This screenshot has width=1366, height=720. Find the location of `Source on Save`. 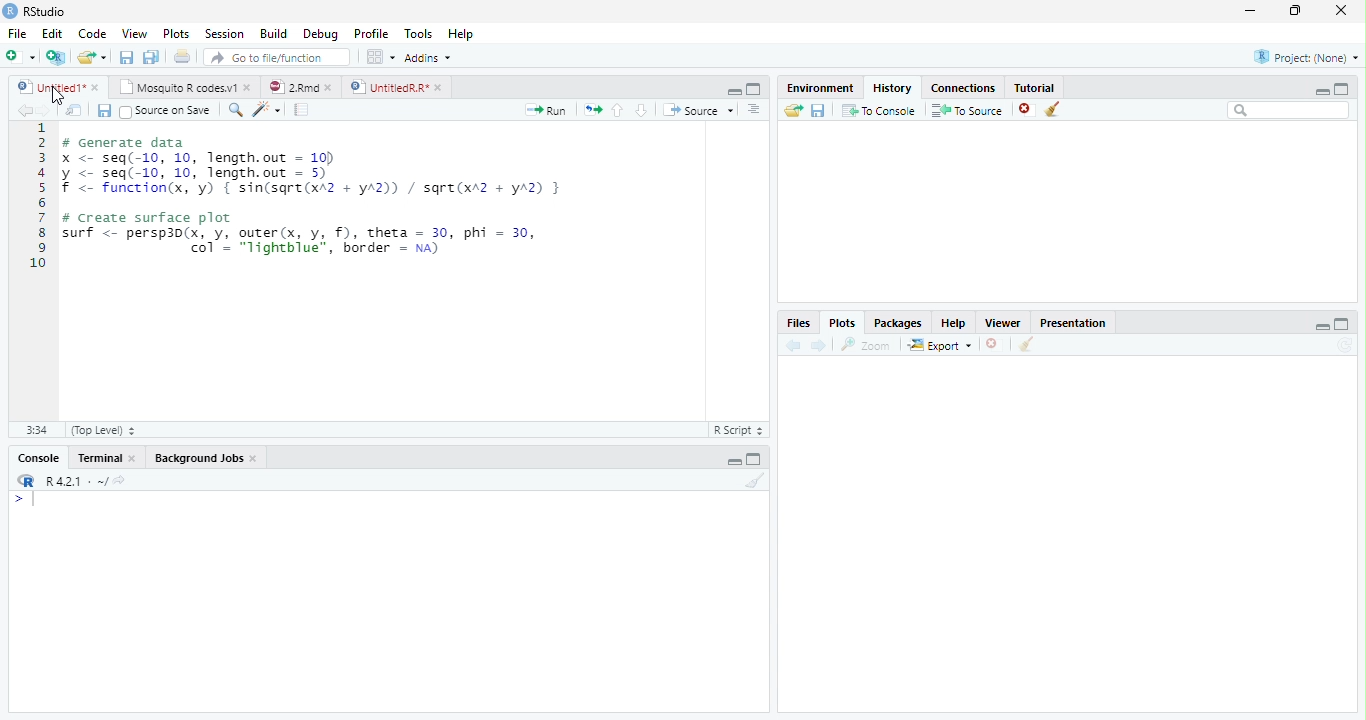

Source on Save is located at coordinates (167, 110).